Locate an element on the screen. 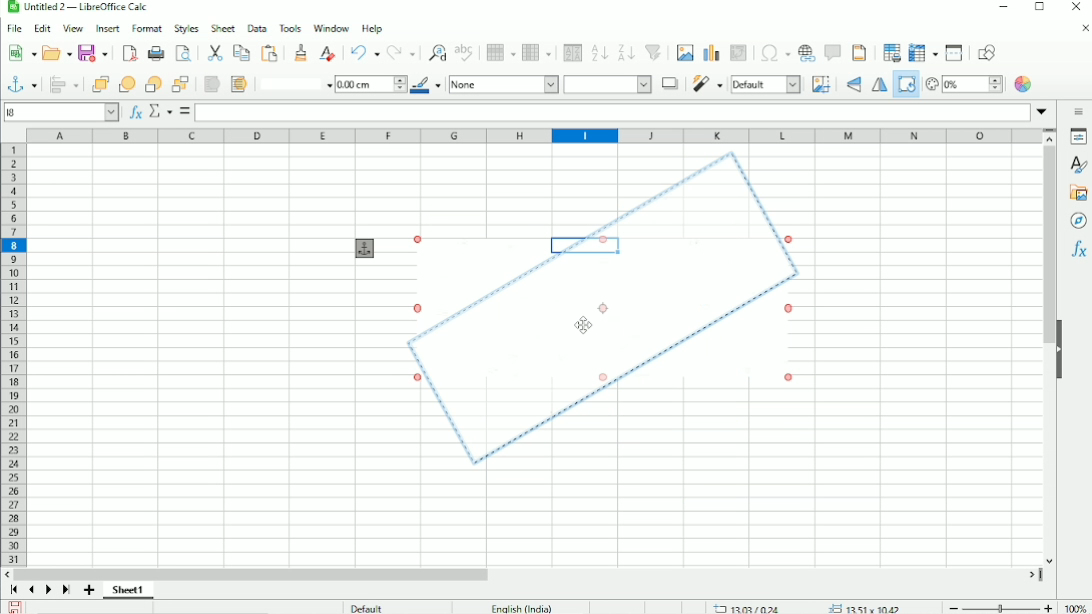 The height and width of the screenshot is (614, 1092). Sort descending is located at coordinates (626, 52).